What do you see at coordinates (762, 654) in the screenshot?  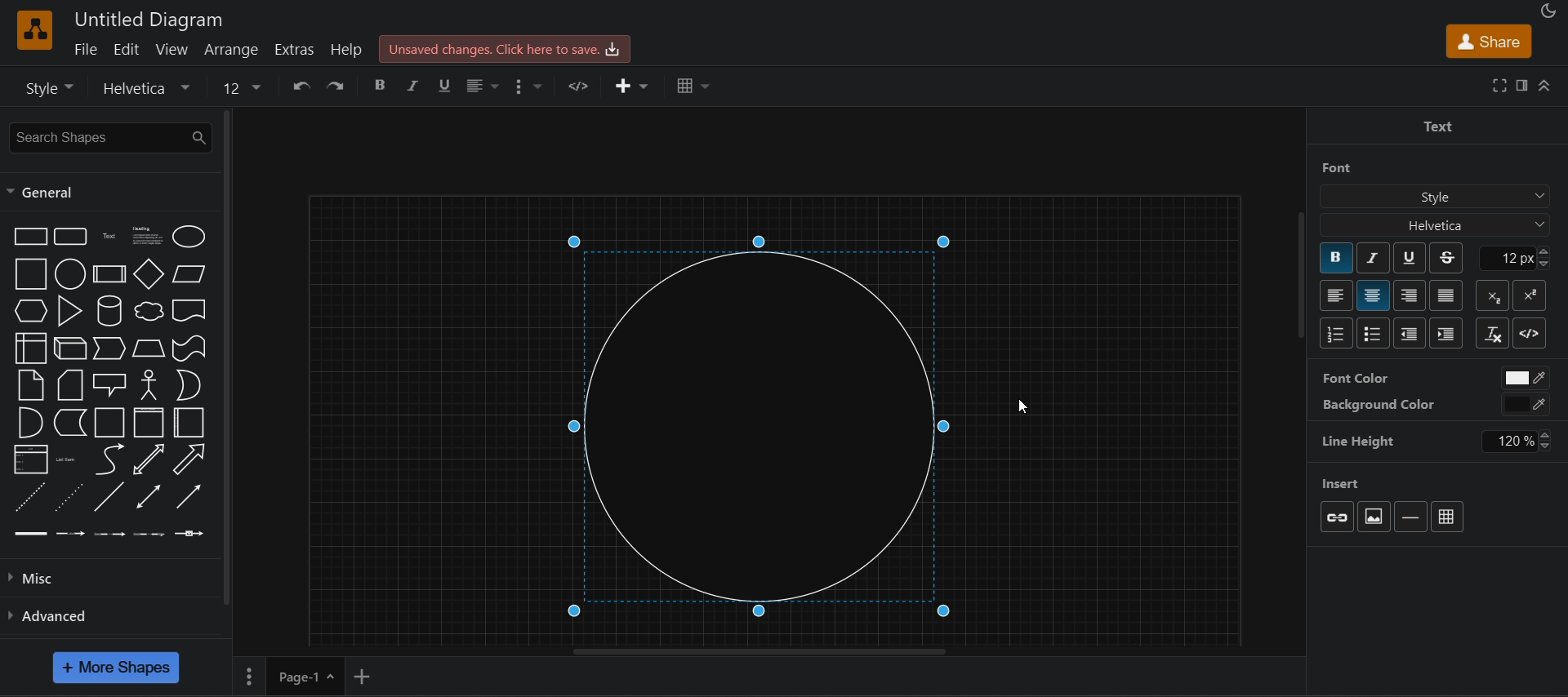 I see `horizontal scroll bar` at bounding box center [762, 654].